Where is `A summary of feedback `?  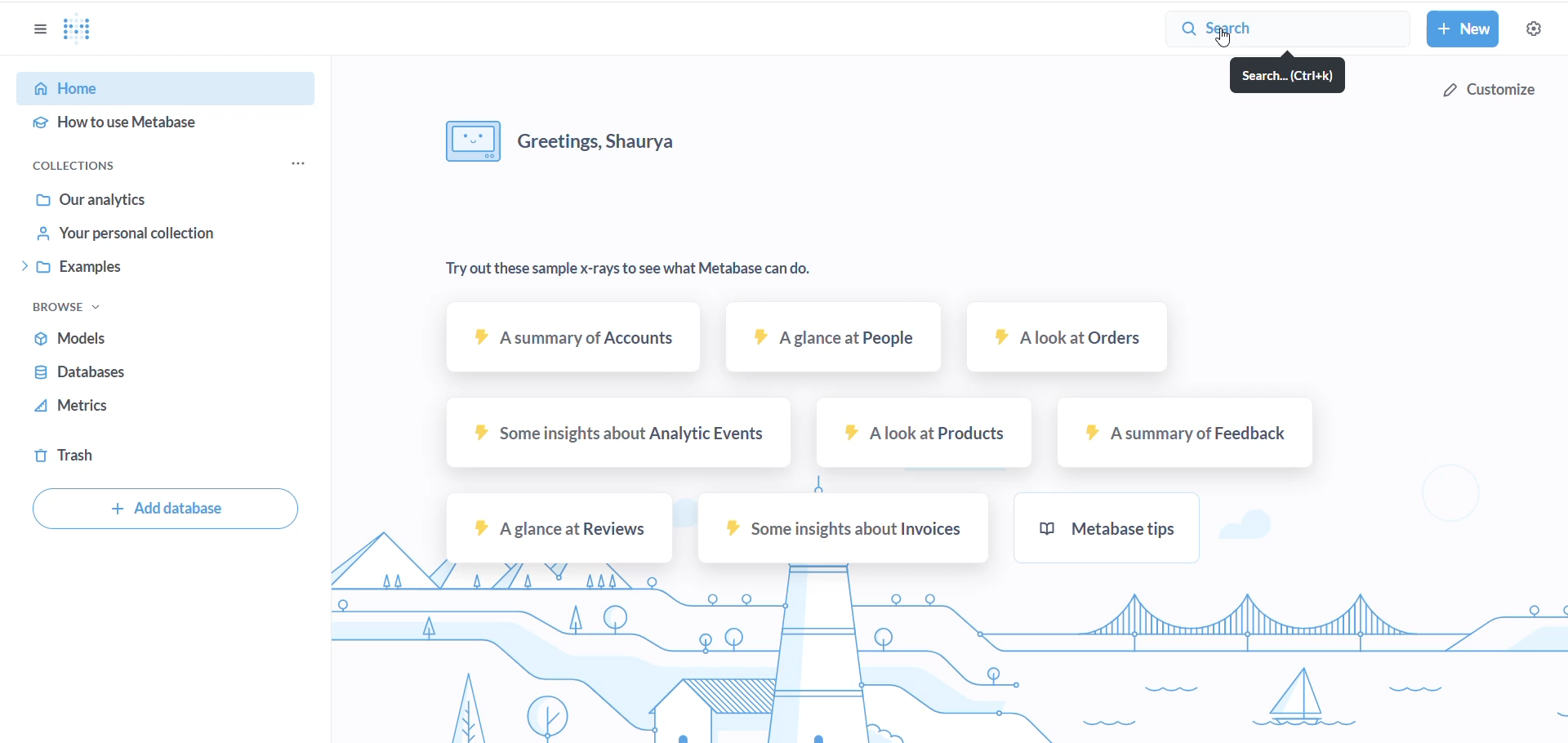
A summary of feedback  is located at coordinates (1183, 433).